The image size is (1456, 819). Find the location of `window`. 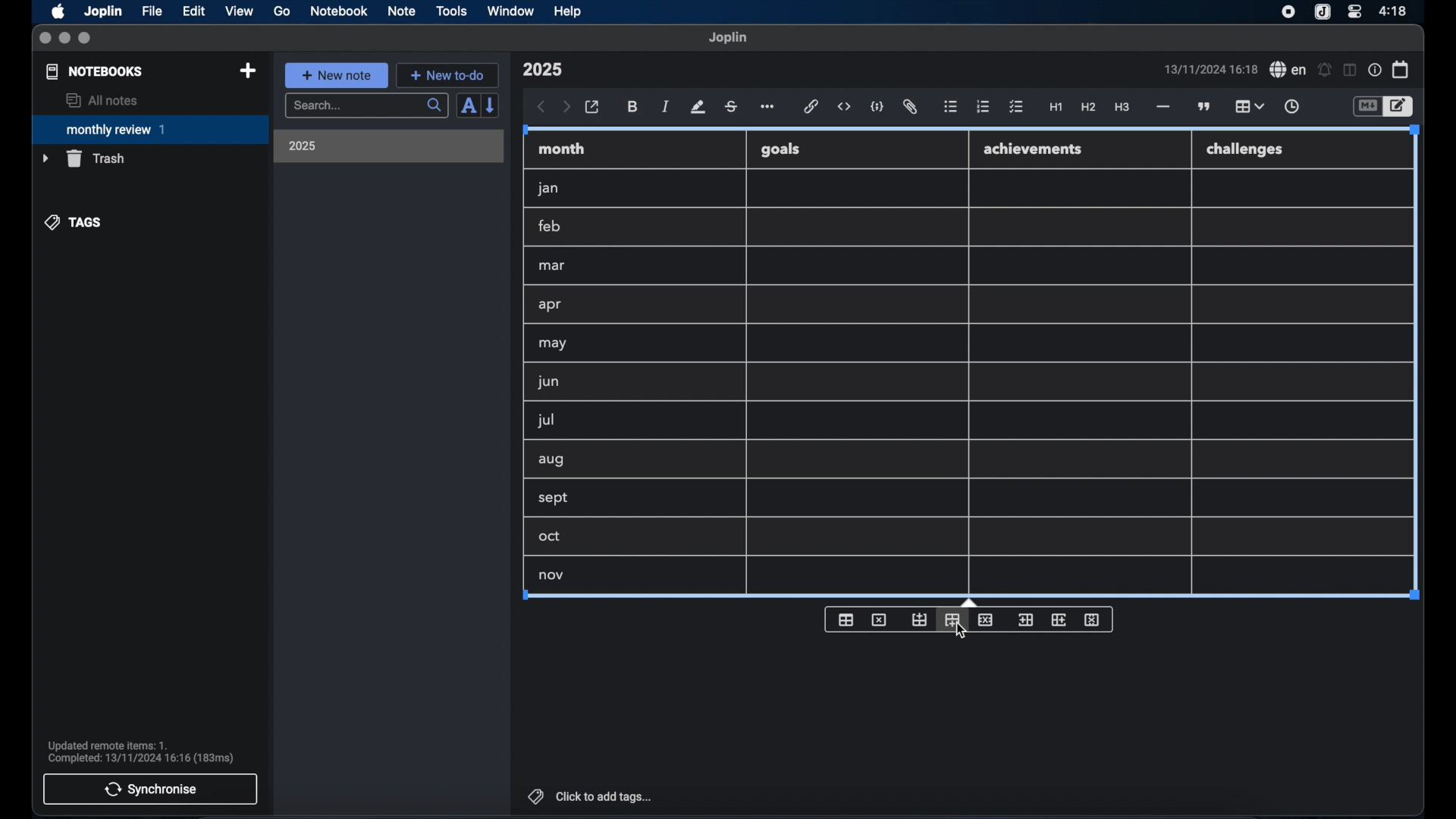

window is located at coordinates (511, 11).